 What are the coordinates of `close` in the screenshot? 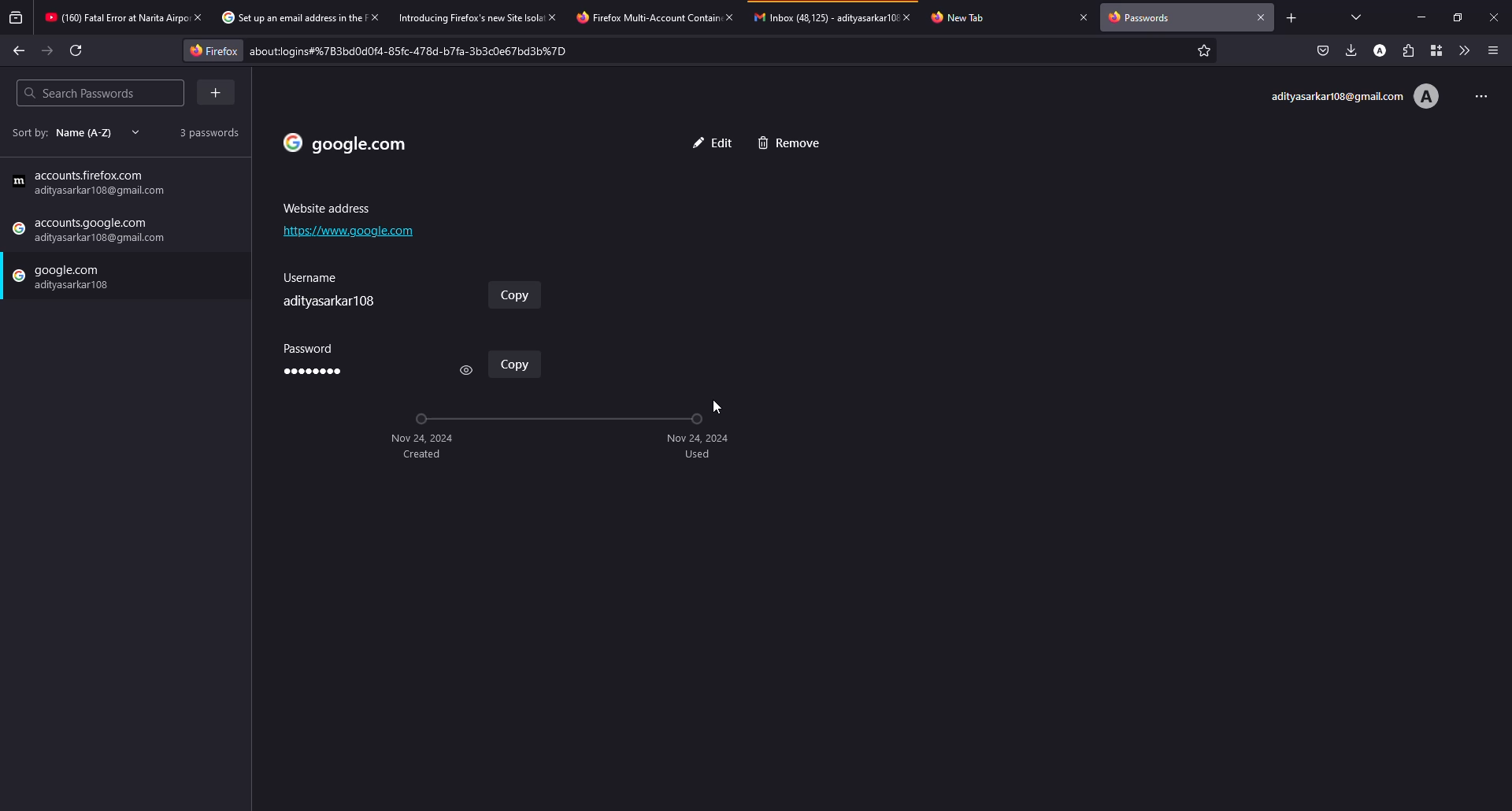 It's located at (1084, 17).